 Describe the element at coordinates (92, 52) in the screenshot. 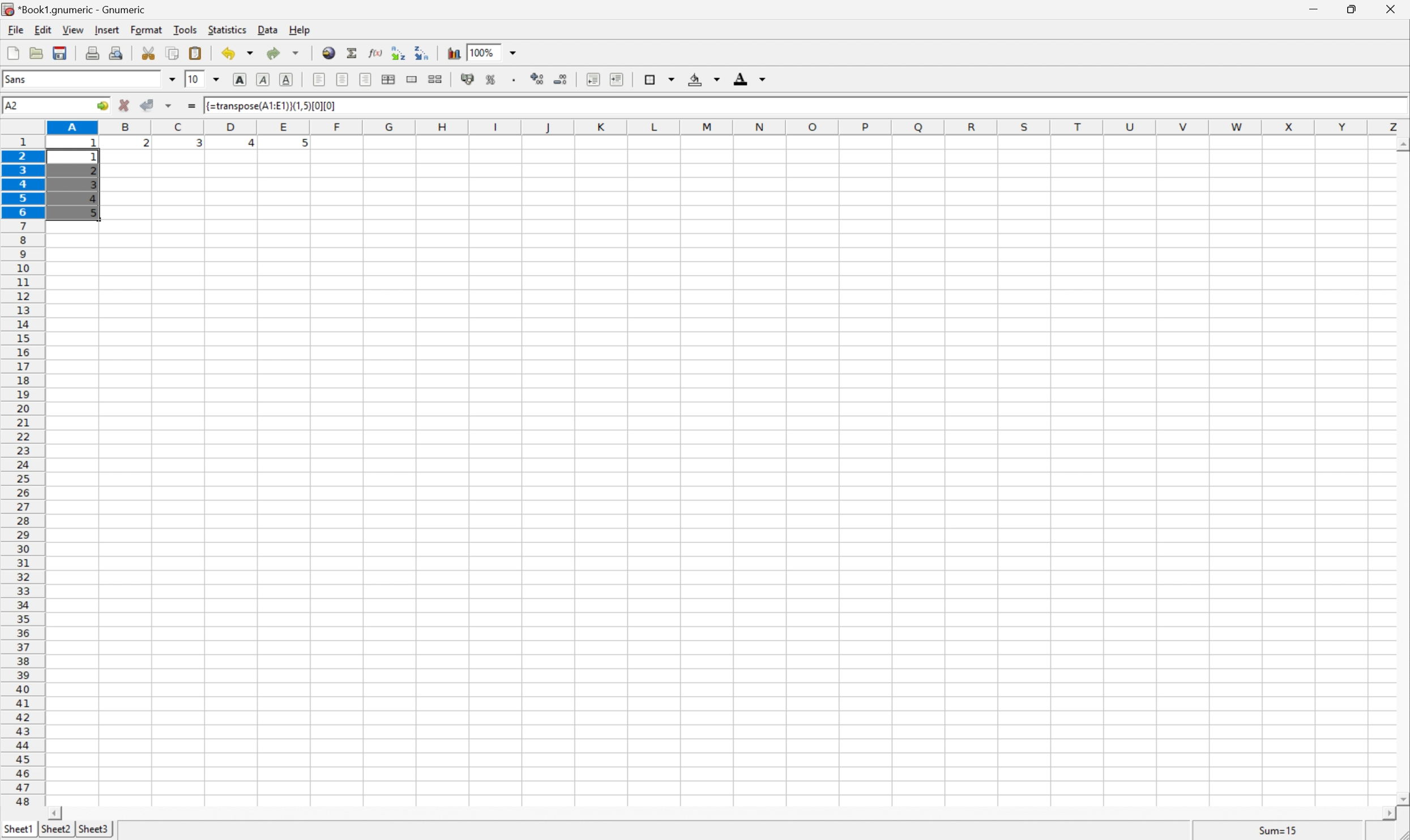

I see `print` at that location.